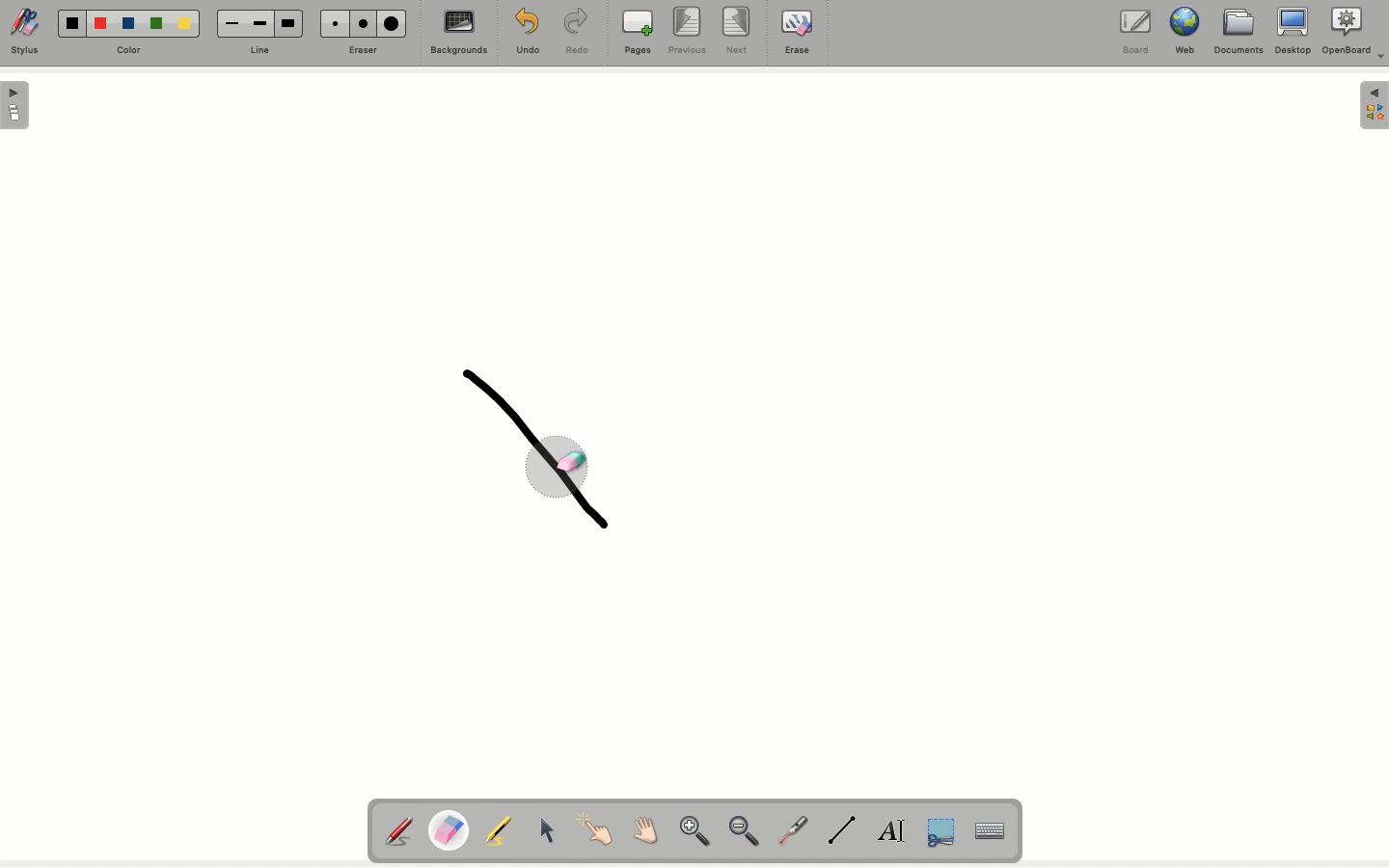 This screenshot has width=1389, height=868. Describe the element at coordinates (749, 833) in the screenshot. I see `Zoom out` at that location.